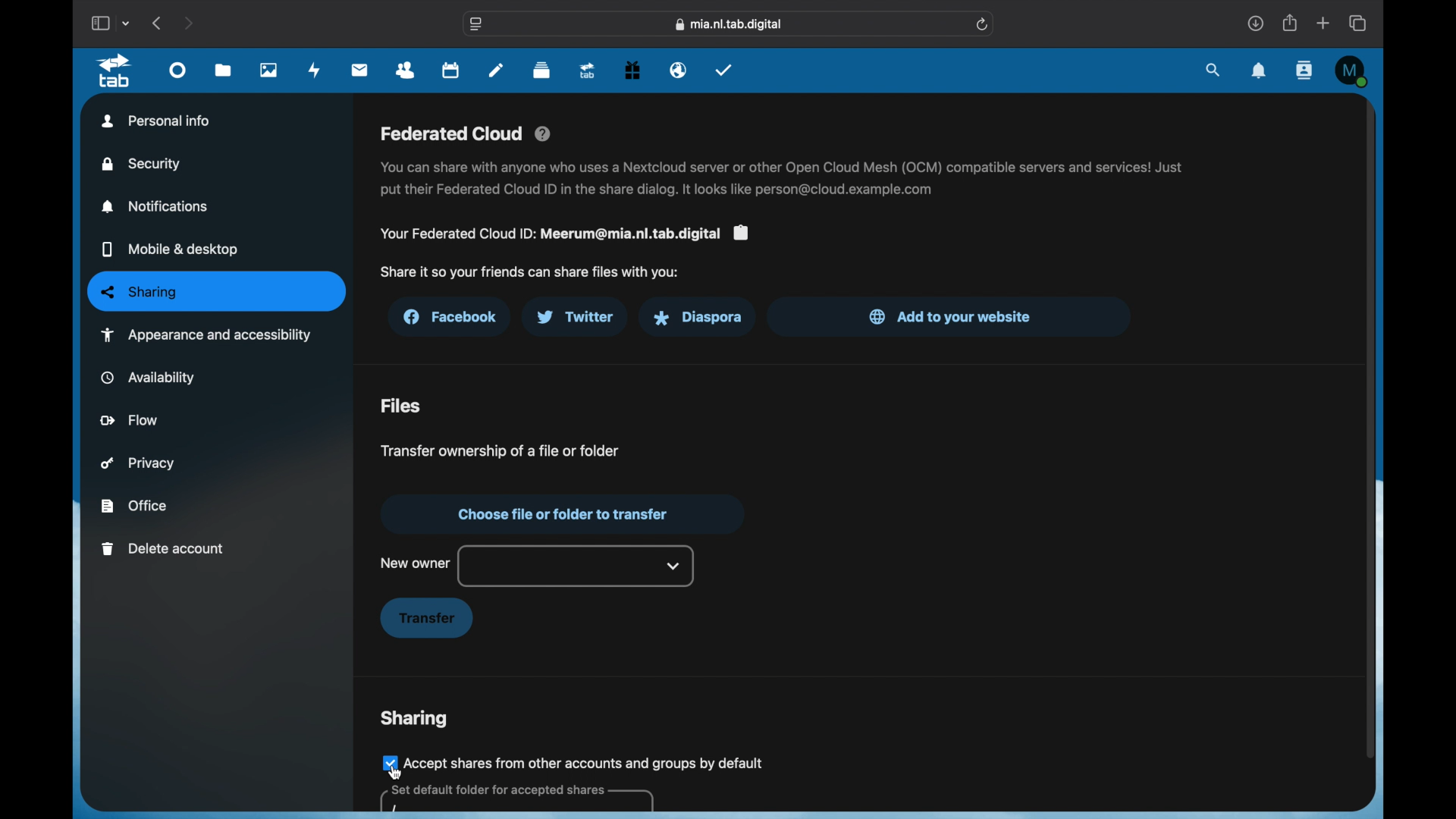 The height and width of the screenshot is (819, 1456). I want to click on contacts, so click(406, 71).